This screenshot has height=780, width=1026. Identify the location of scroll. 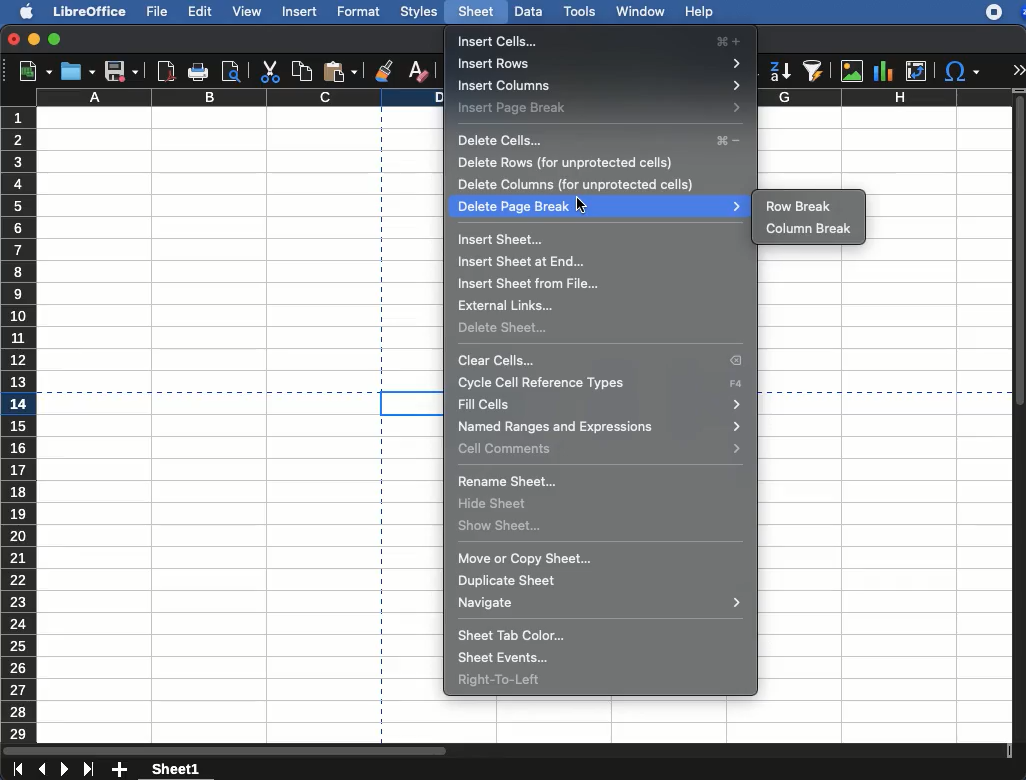
(507, 750).